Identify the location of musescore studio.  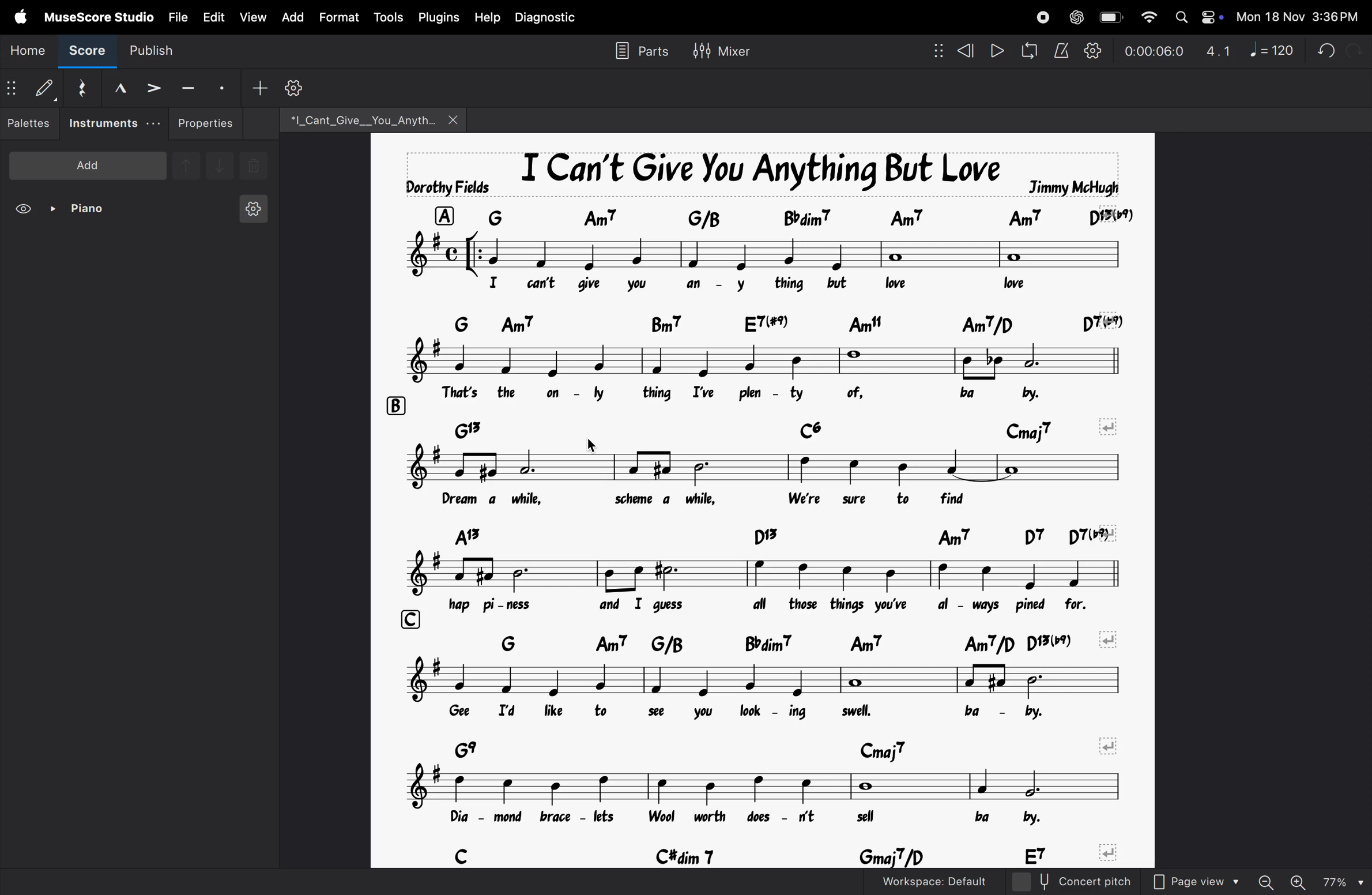
(96, 16).